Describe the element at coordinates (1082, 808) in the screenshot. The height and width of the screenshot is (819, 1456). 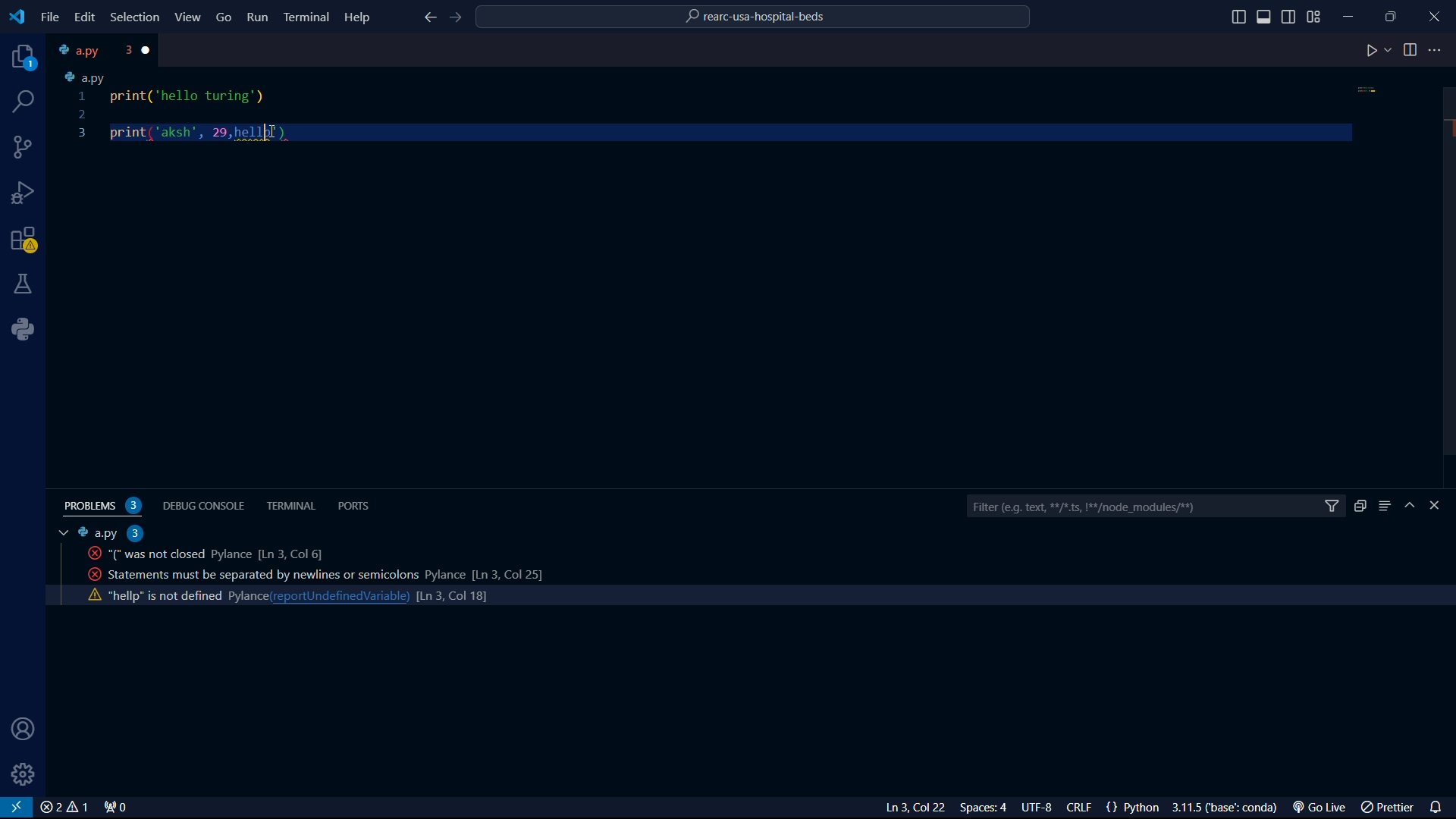
I see `CRLF` at that location.